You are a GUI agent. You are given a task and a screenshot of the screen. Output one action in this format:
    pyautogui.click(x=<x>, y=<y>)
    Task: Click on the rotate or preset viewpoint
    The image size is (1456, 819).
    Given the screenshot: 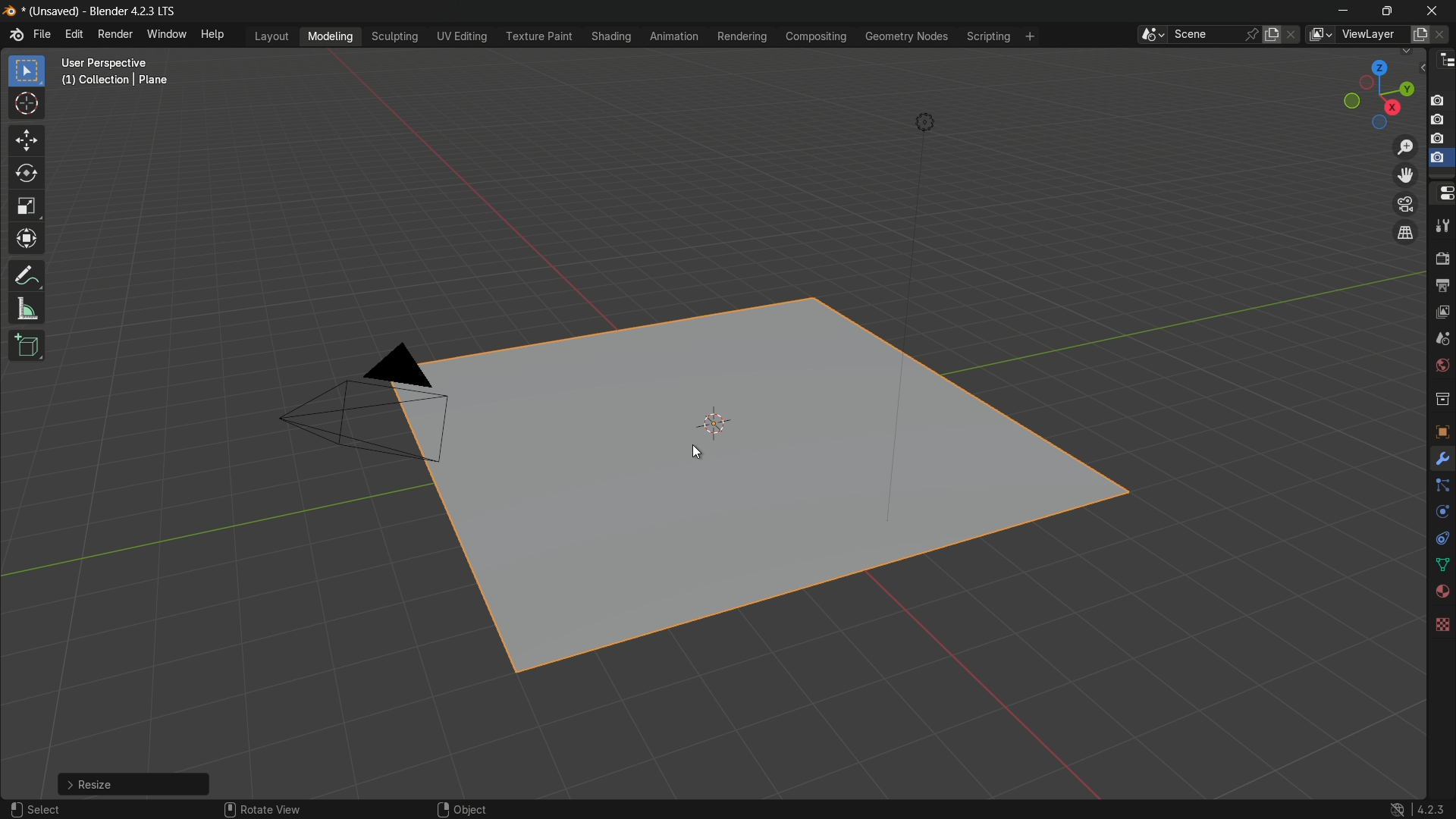 What is the action you would take?
    pyautogui.click(x=1379, y=92)
    